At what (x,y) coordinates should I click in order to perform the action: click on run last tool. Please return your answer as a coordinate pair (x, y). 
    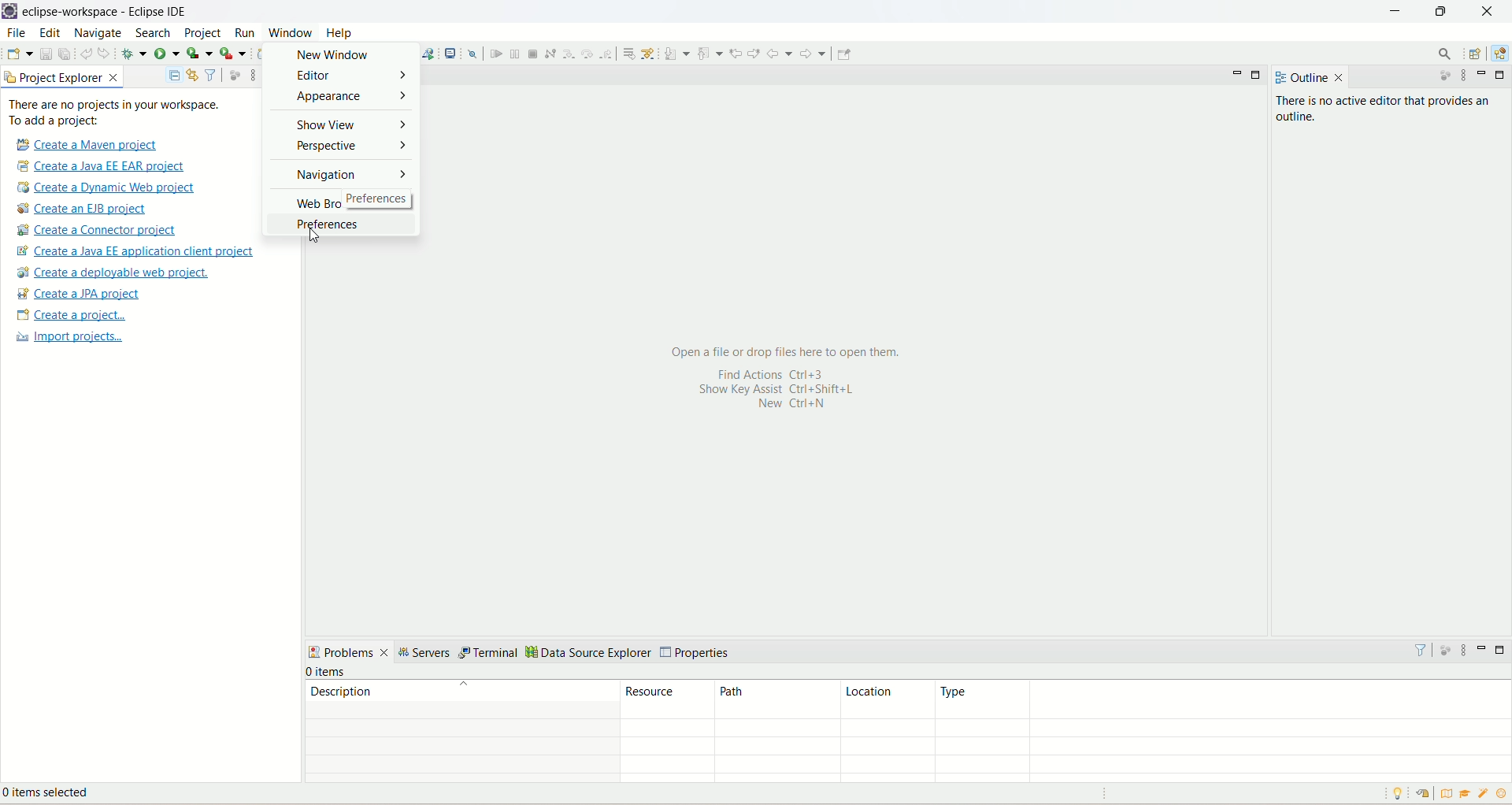
    Looking at the image, I should click on (232, 54).